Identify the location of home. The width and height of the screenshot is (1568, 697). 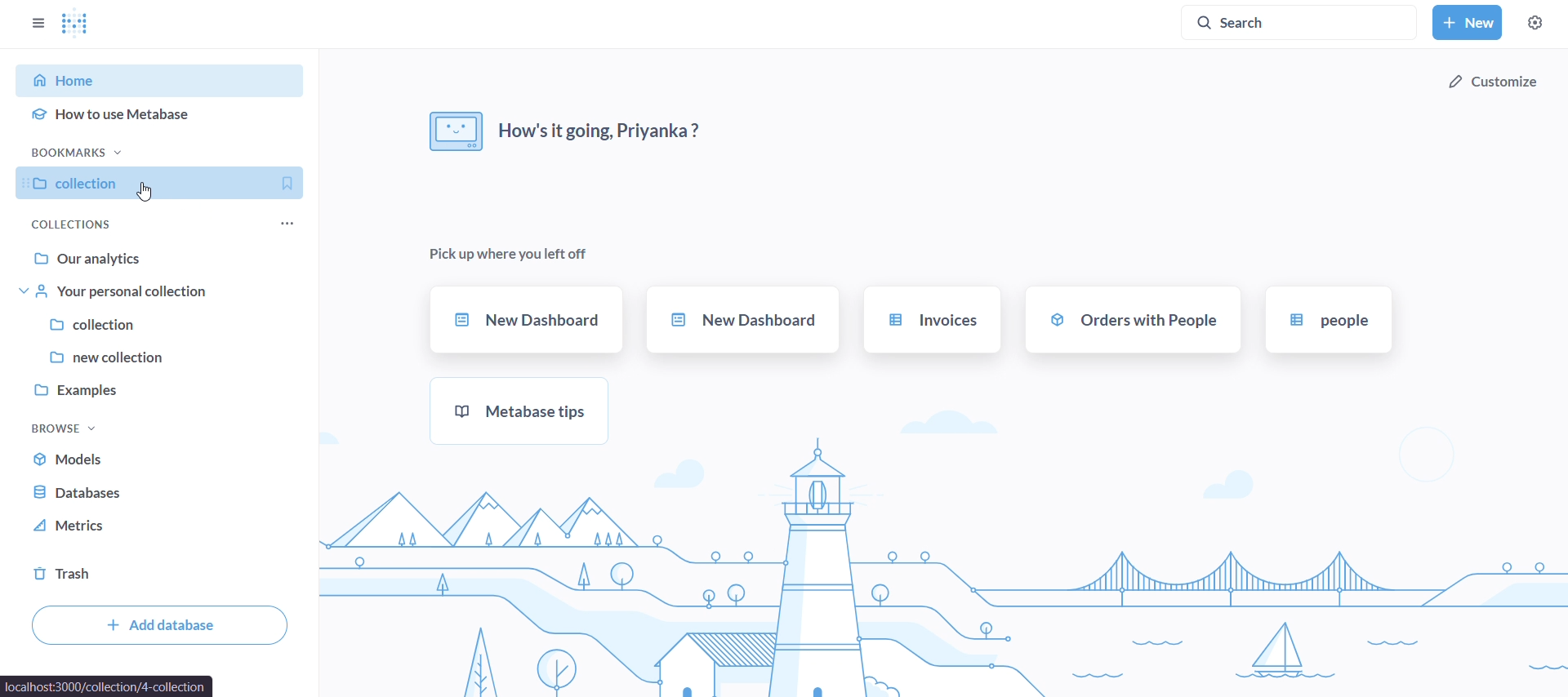
(167, 80).